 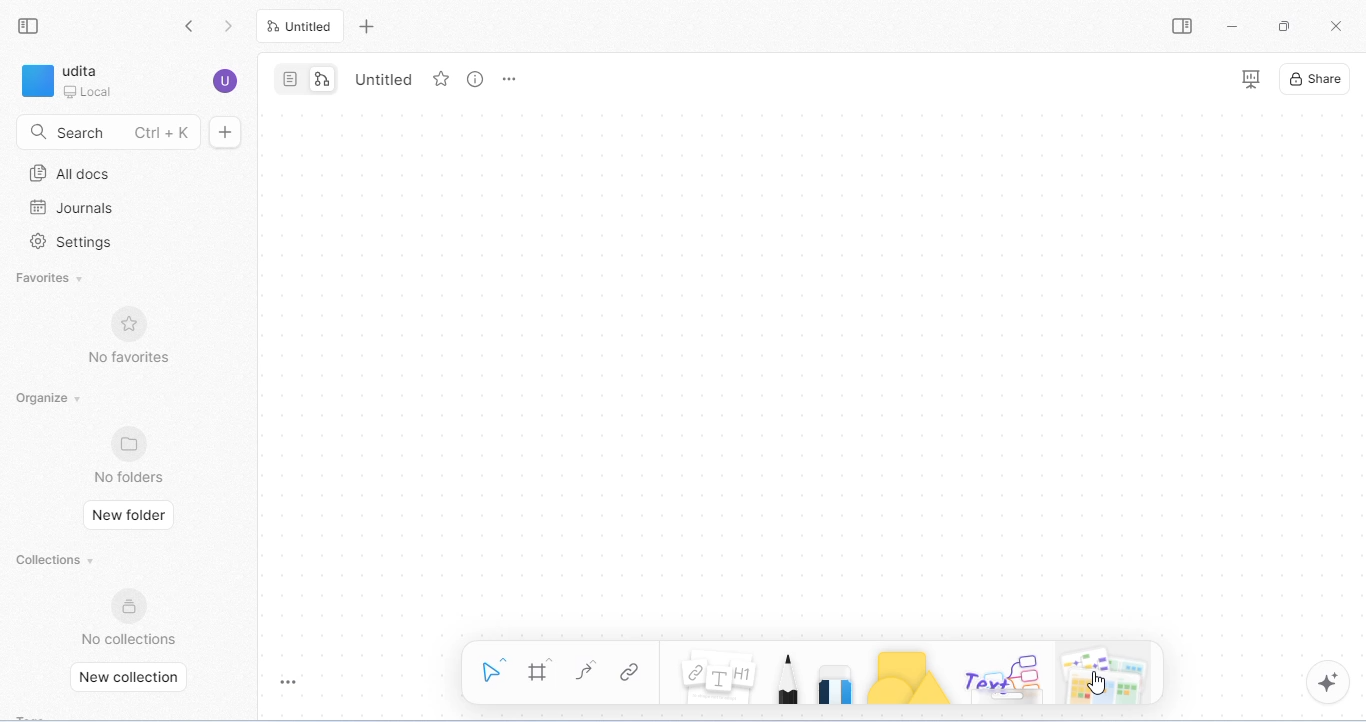 What do you see at coordinates (494, 668) in the screenshot?
I see `select` at bounding box center [494, 668].